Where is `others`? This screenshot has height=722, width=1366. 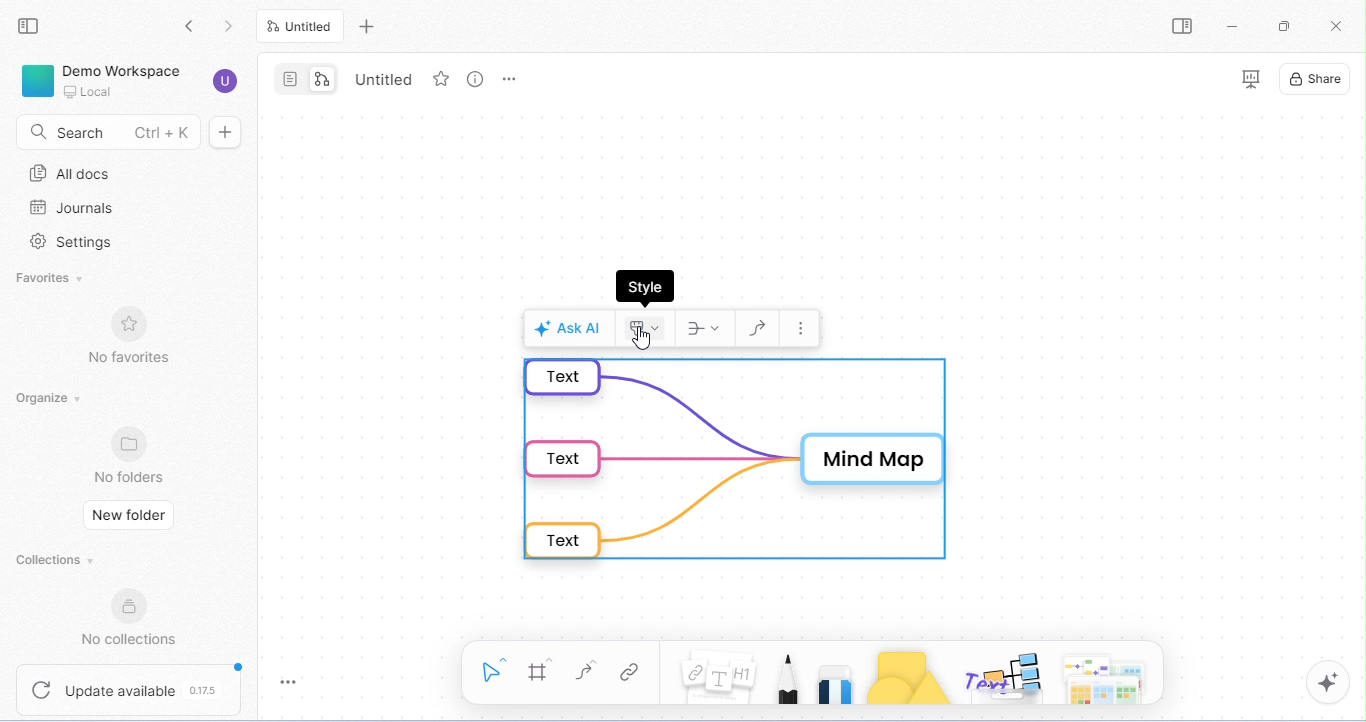
others is located at coordinates (1001, 680).